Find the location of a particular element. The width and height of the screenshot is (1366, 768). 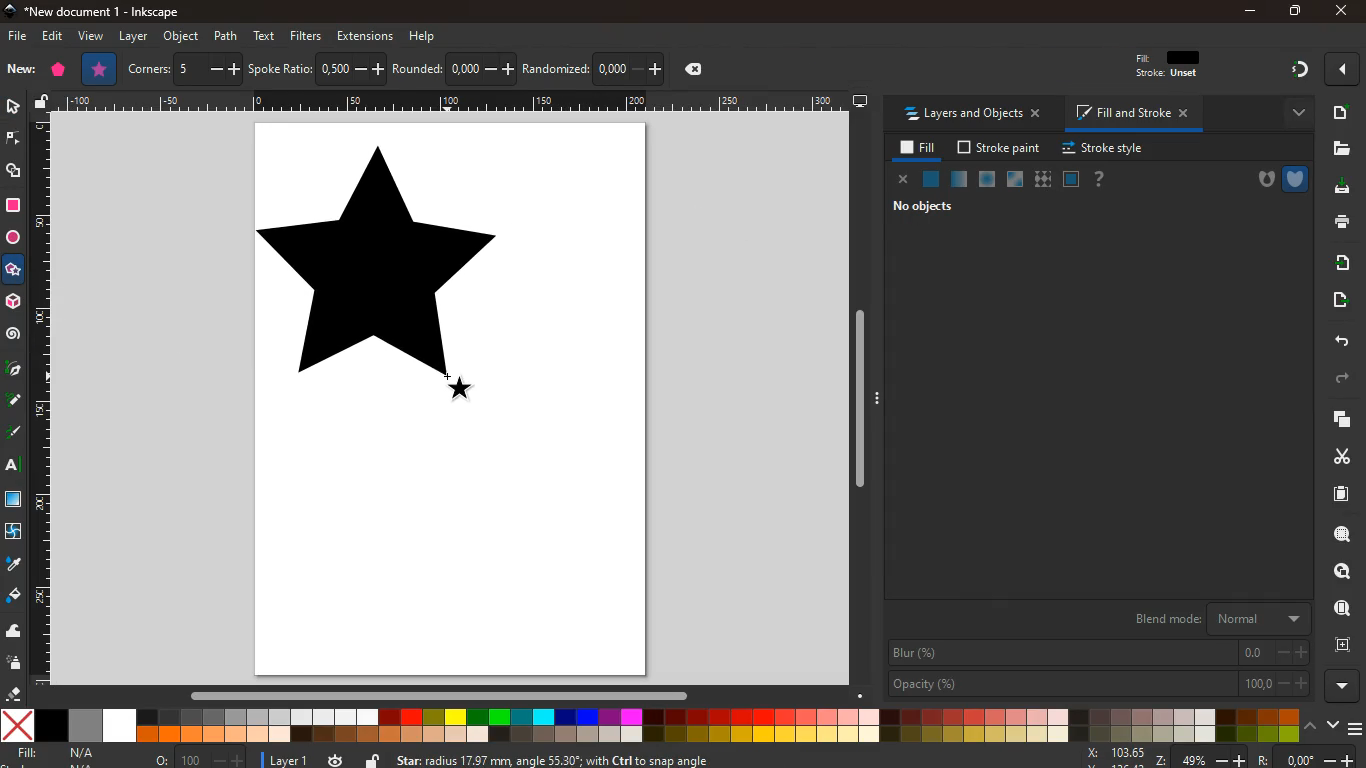

Draw scale is located at coordinates (455, 103).